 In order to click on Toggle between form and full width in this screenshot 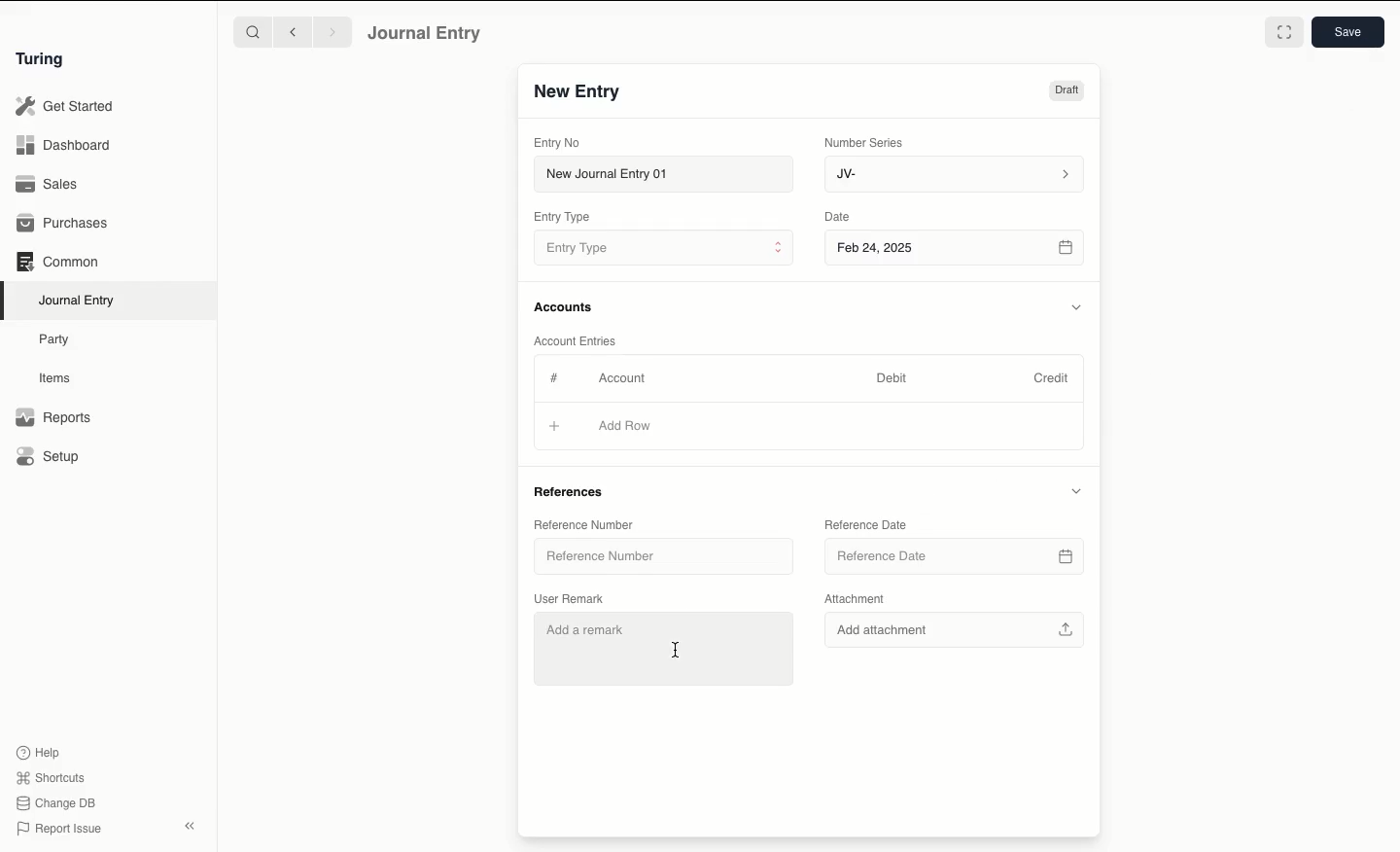, I will do `click(1284, 32)`.